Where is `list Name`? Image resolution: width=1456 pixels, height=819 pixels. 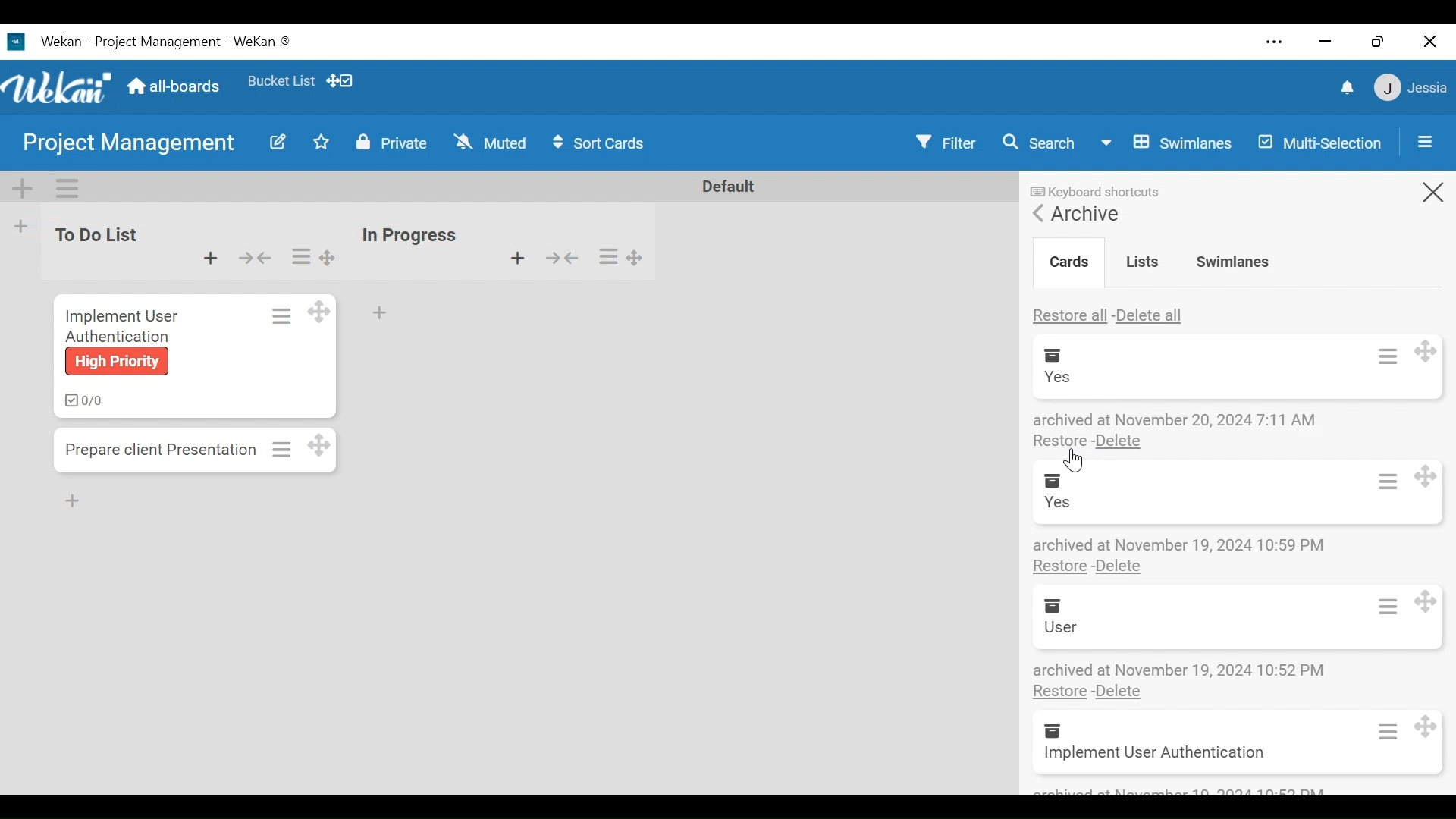
list Name is located at coordinates (408, 235).